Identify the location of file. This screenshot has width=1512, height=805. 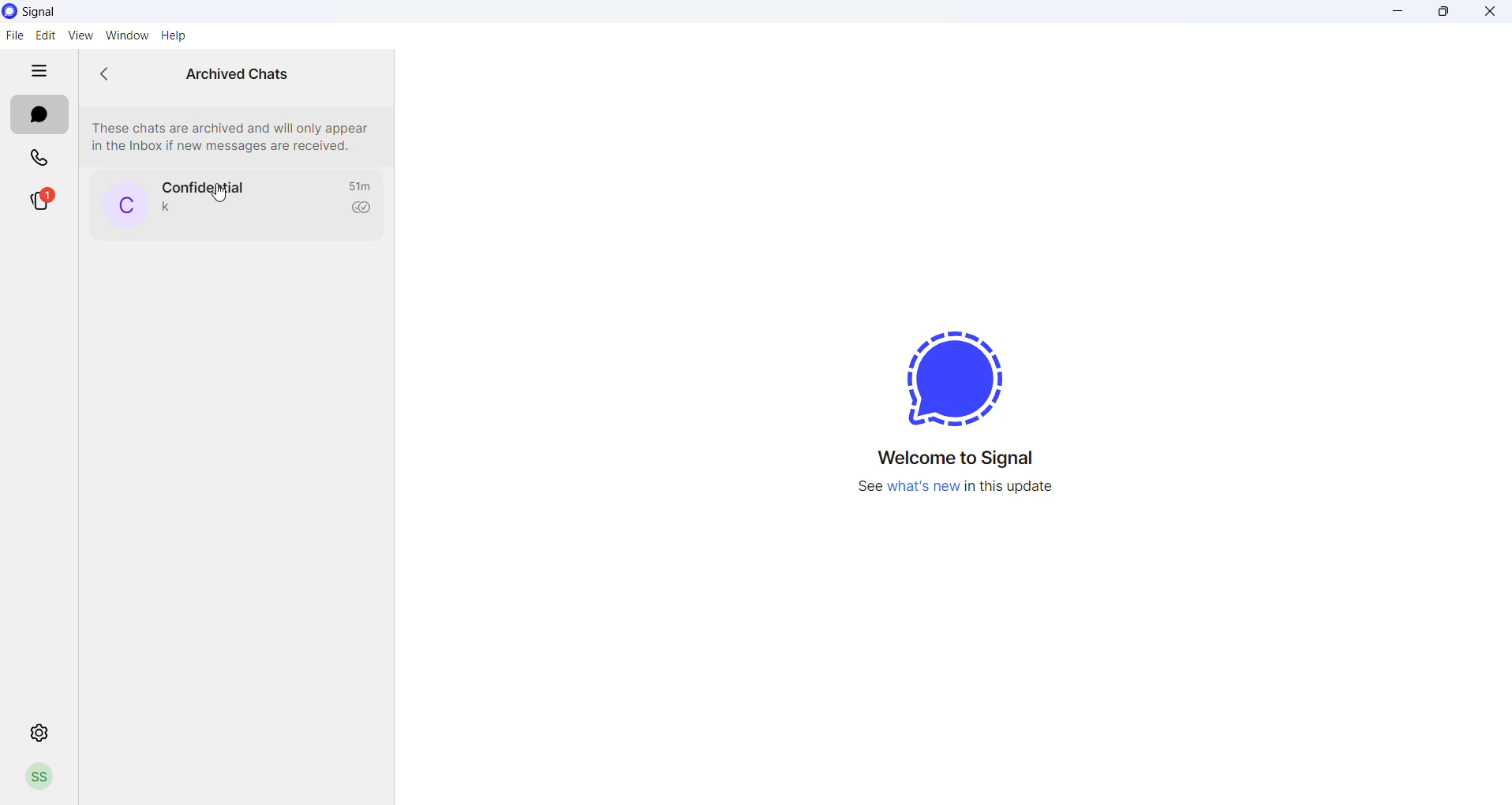
(14, 36).